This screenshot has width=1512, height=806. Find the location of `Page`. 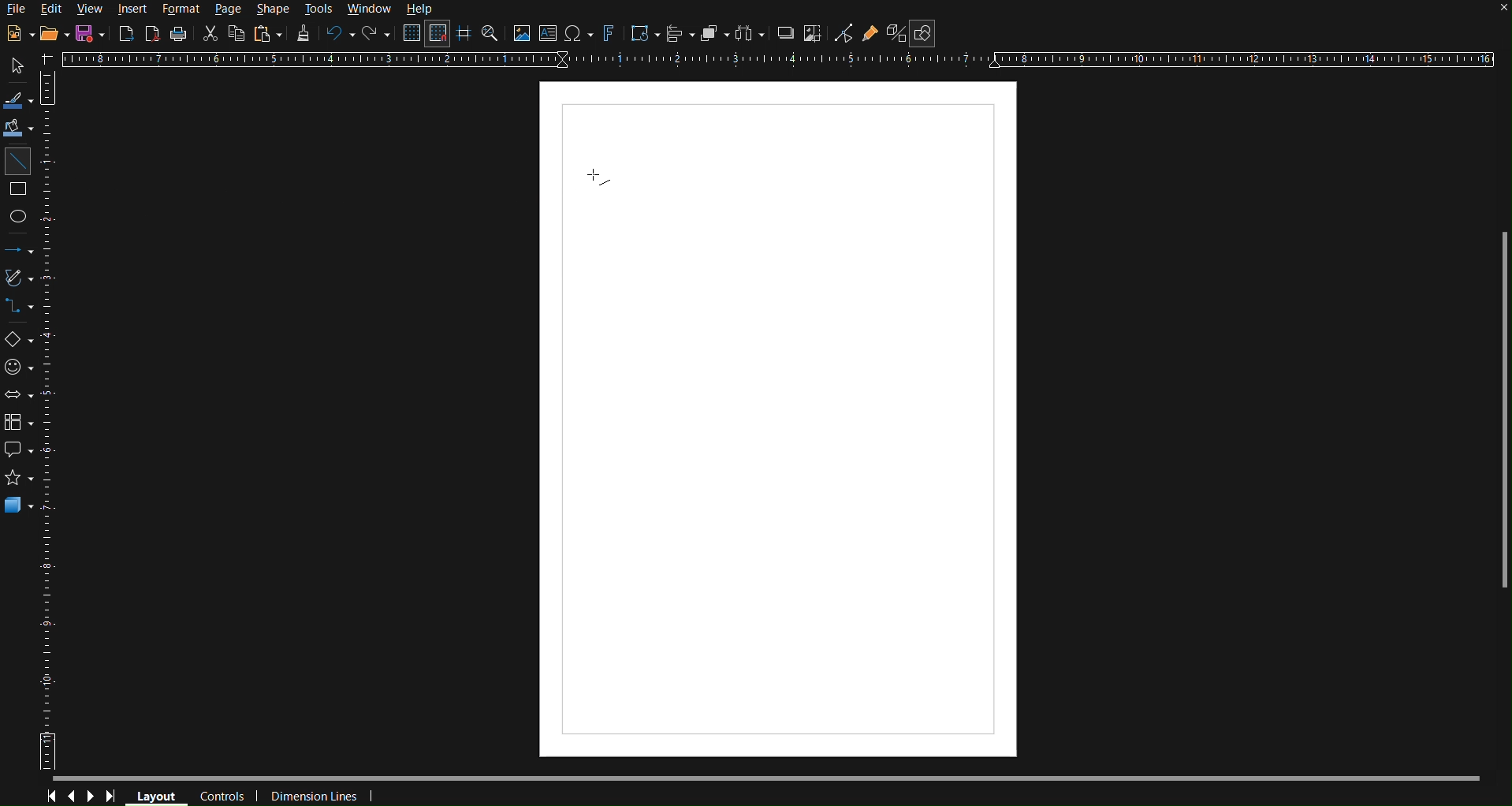

Page is located at coordinates (226, 10).